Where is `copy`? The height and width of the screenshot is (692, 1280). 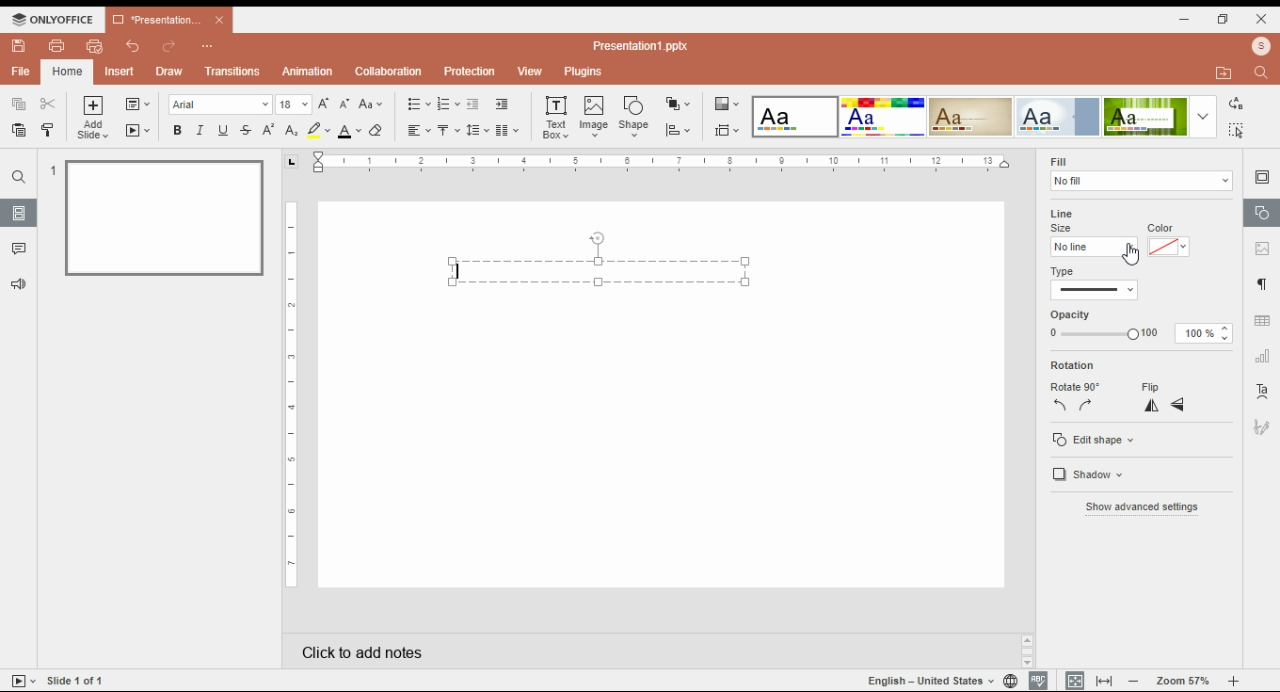 copy is located at coordinates (20, 104).